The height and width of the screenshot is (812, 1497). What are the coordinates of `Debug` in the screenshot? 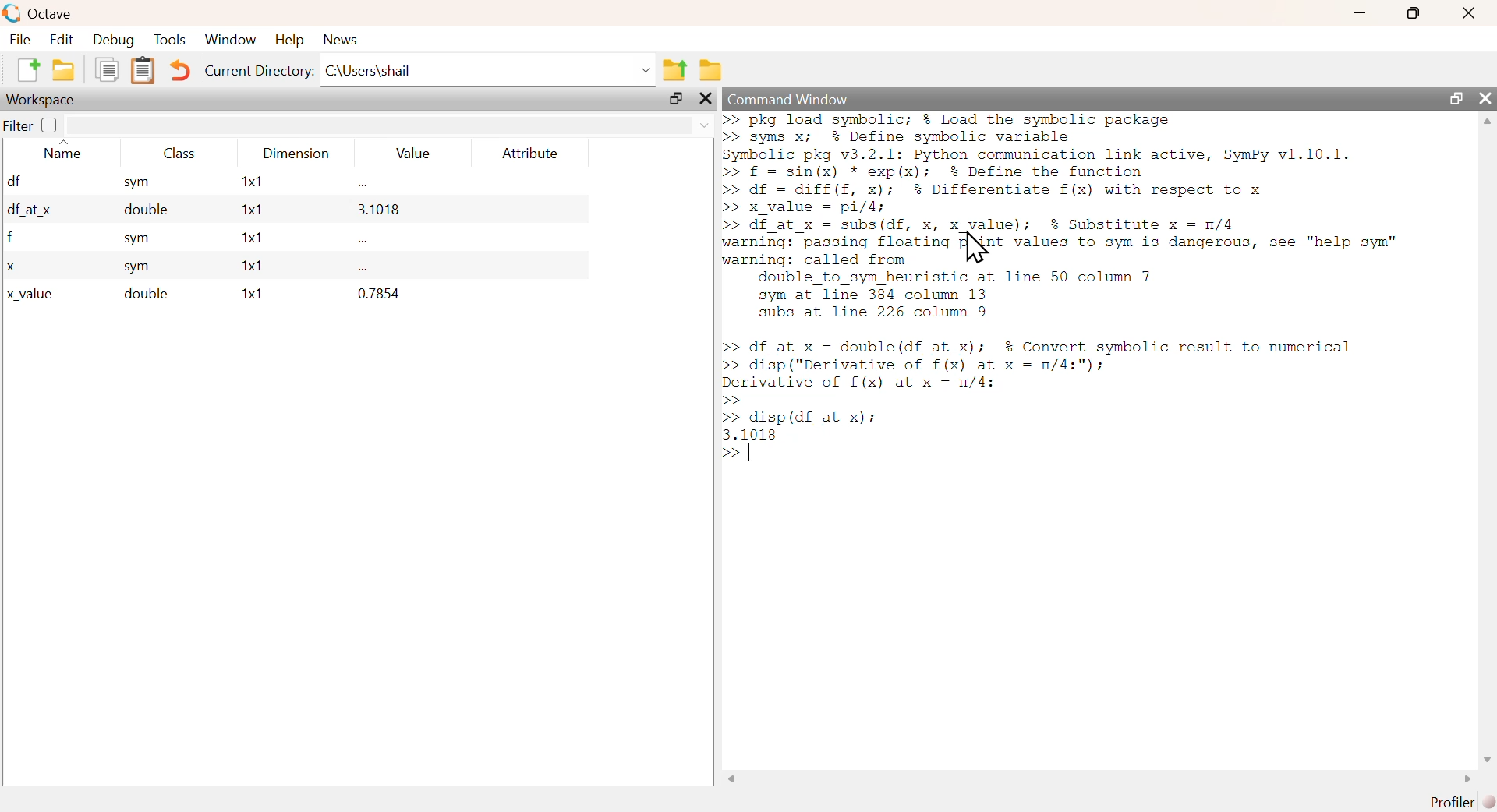 It's located at (112, 41).